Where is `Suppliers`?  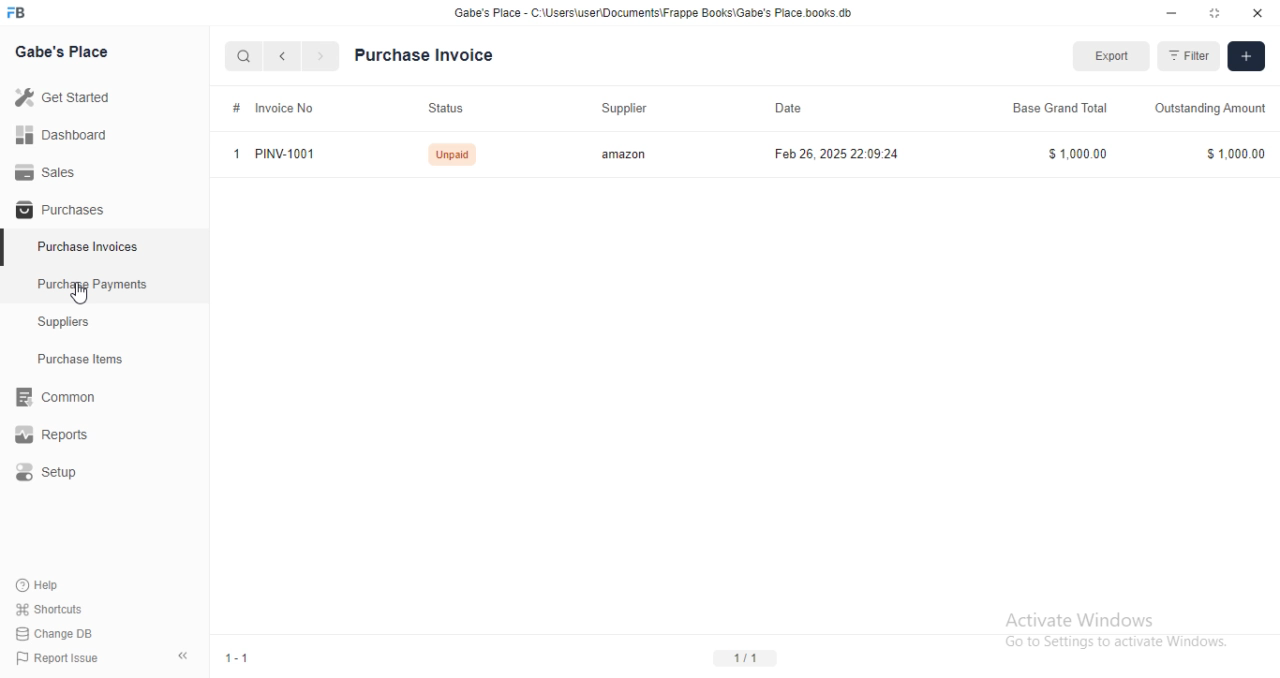 Suppliers is located at coordinates (70, 324).